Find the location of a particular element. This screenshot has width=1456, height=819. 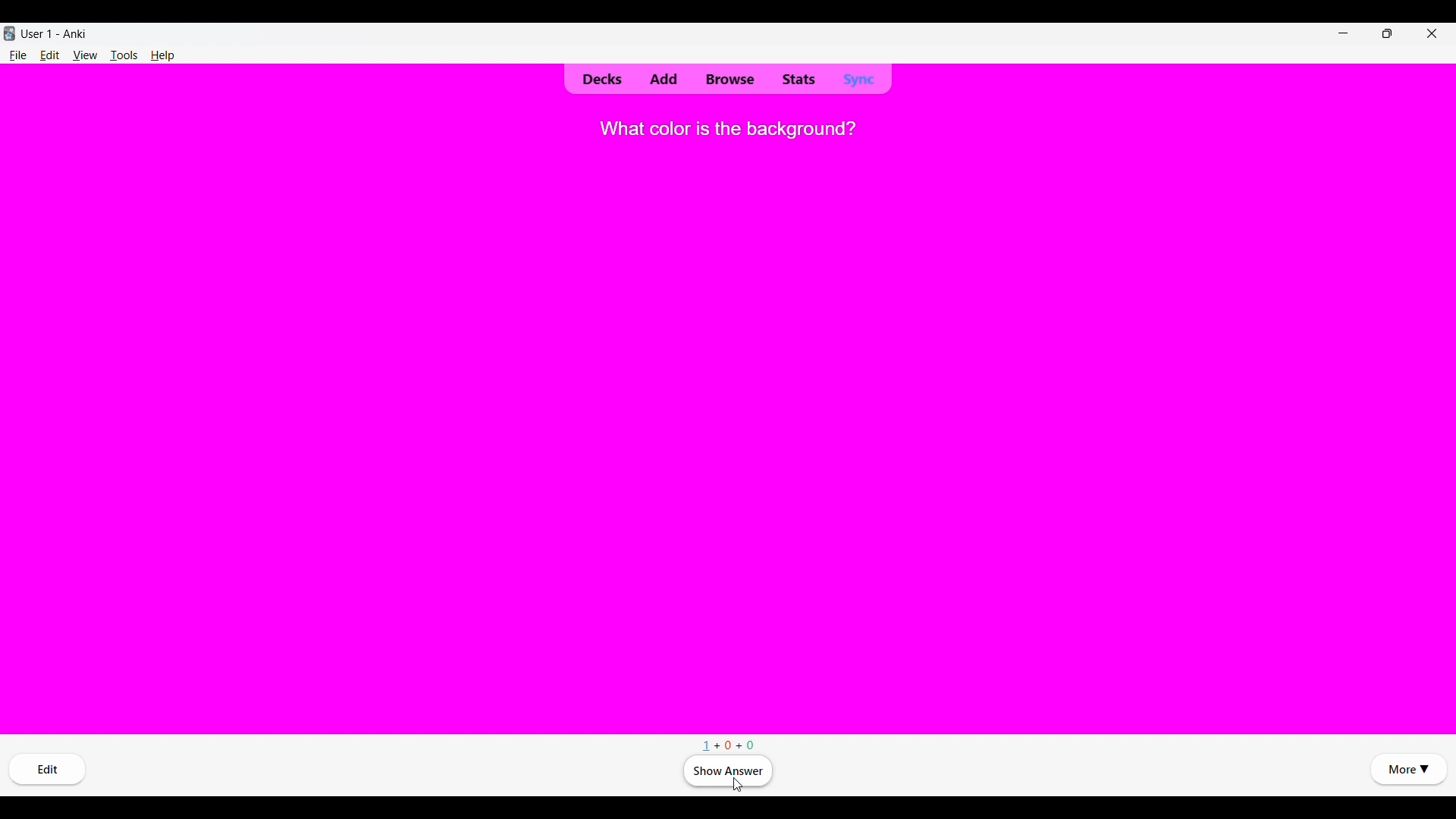

Software logo is located at coordinates (9, 33).